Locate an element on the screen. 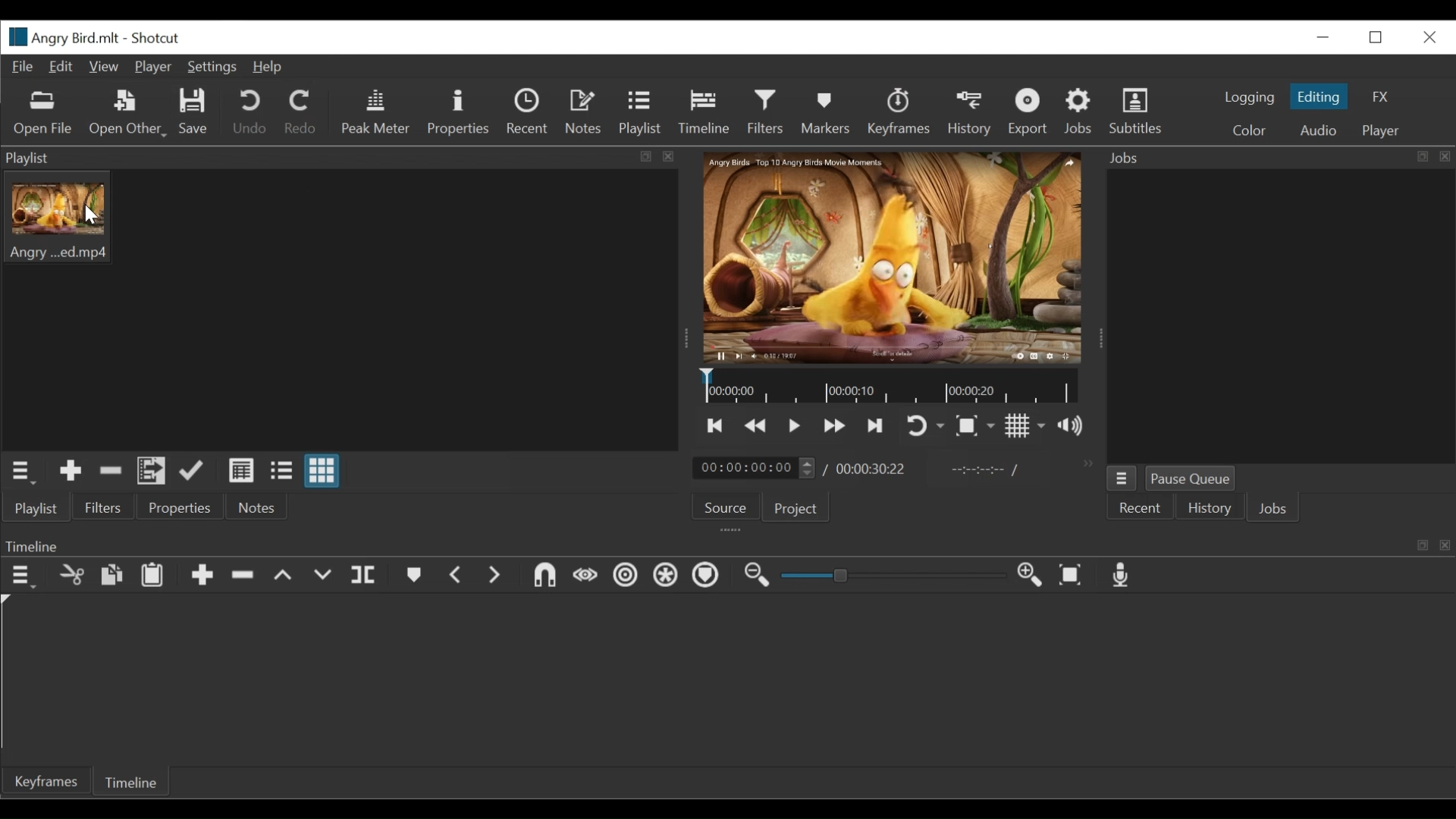 The image size is (1456, 819). Audio is located at coordinates (1319, 129).